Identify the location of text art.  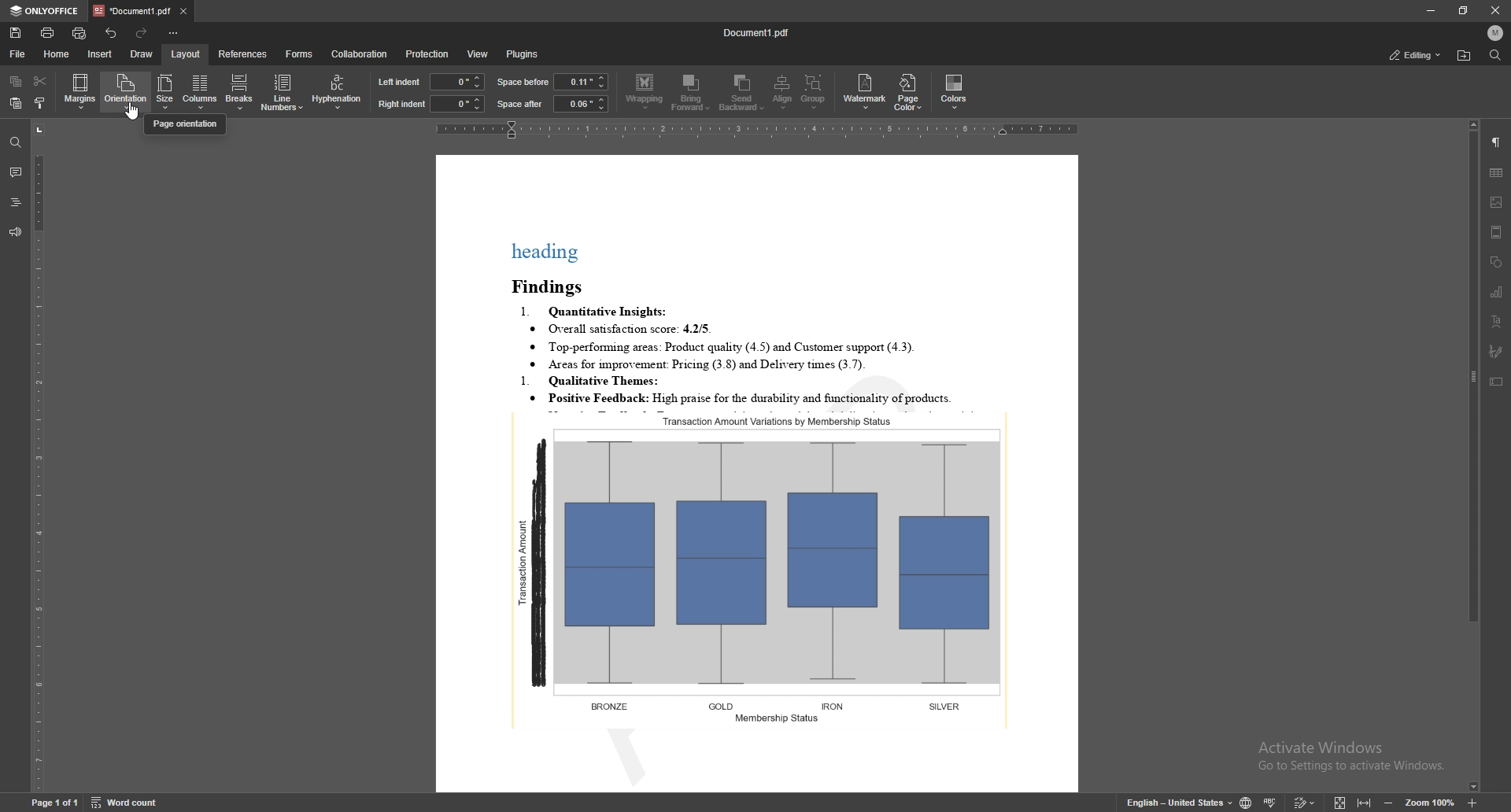
(1498, 321).